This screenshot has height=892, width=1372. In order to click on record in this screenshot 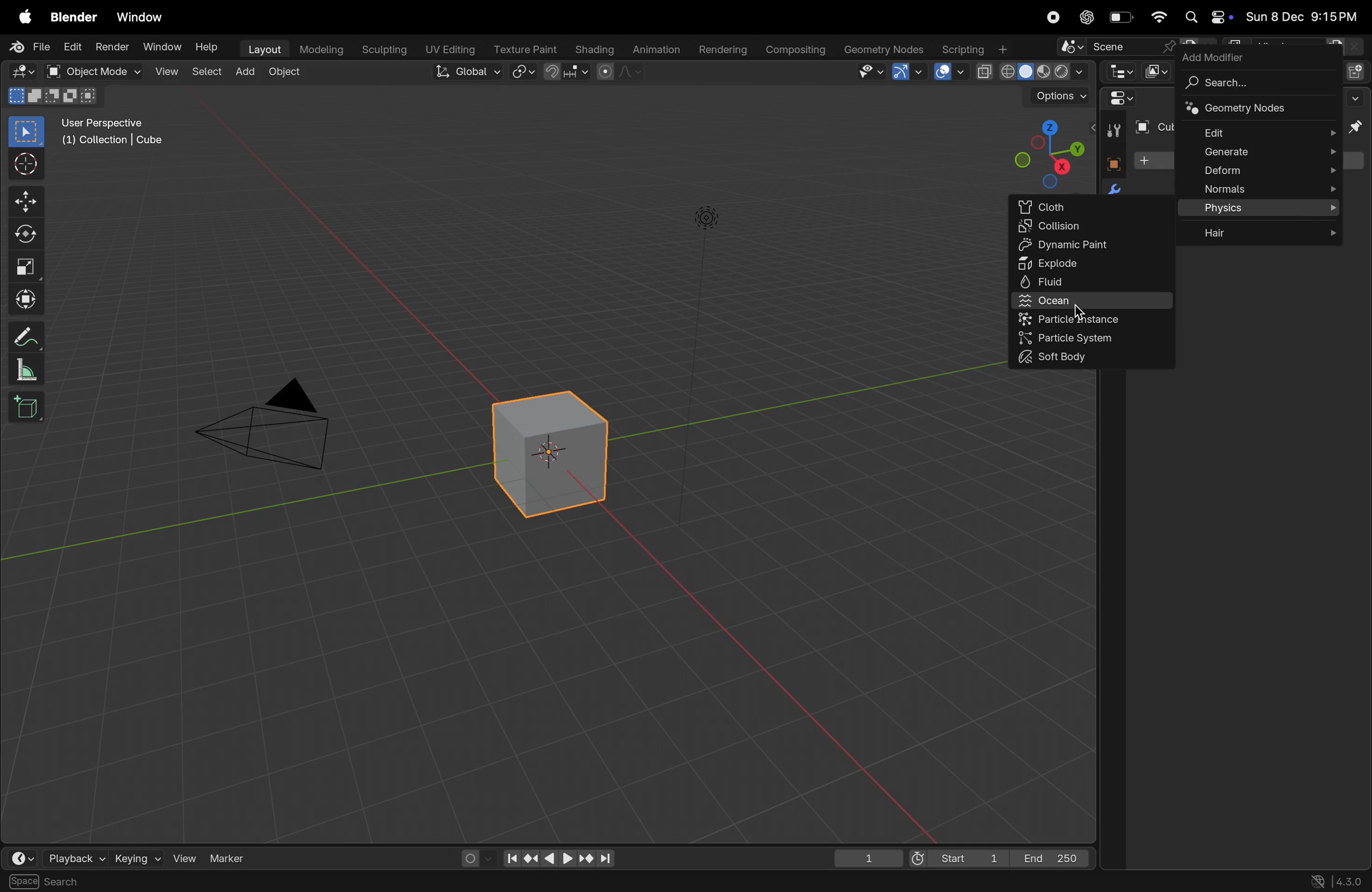, I will do `click(1051, 17)`.